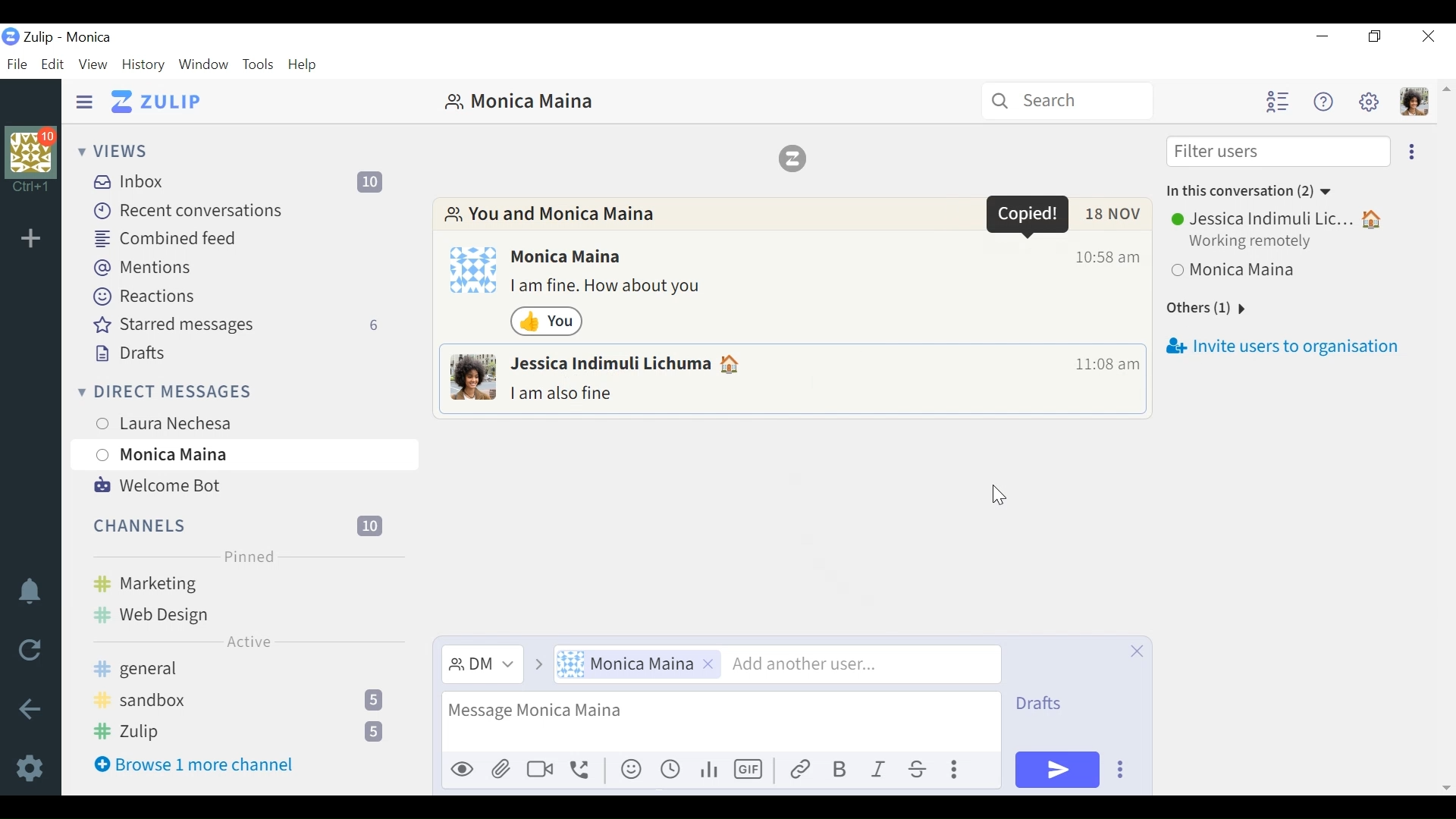  I want to click on Hide user list, so click(1277, 101).